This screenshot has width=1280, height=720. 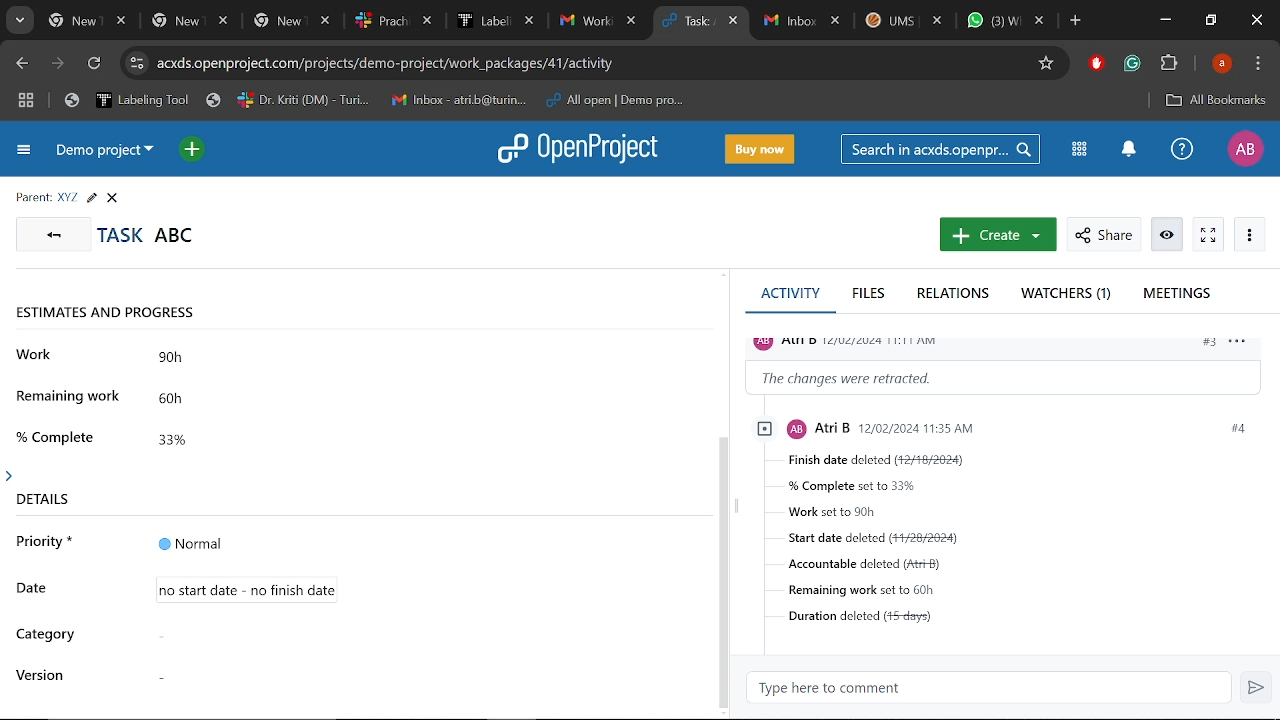 I want to click on Share, so click(x=1103, y=235).